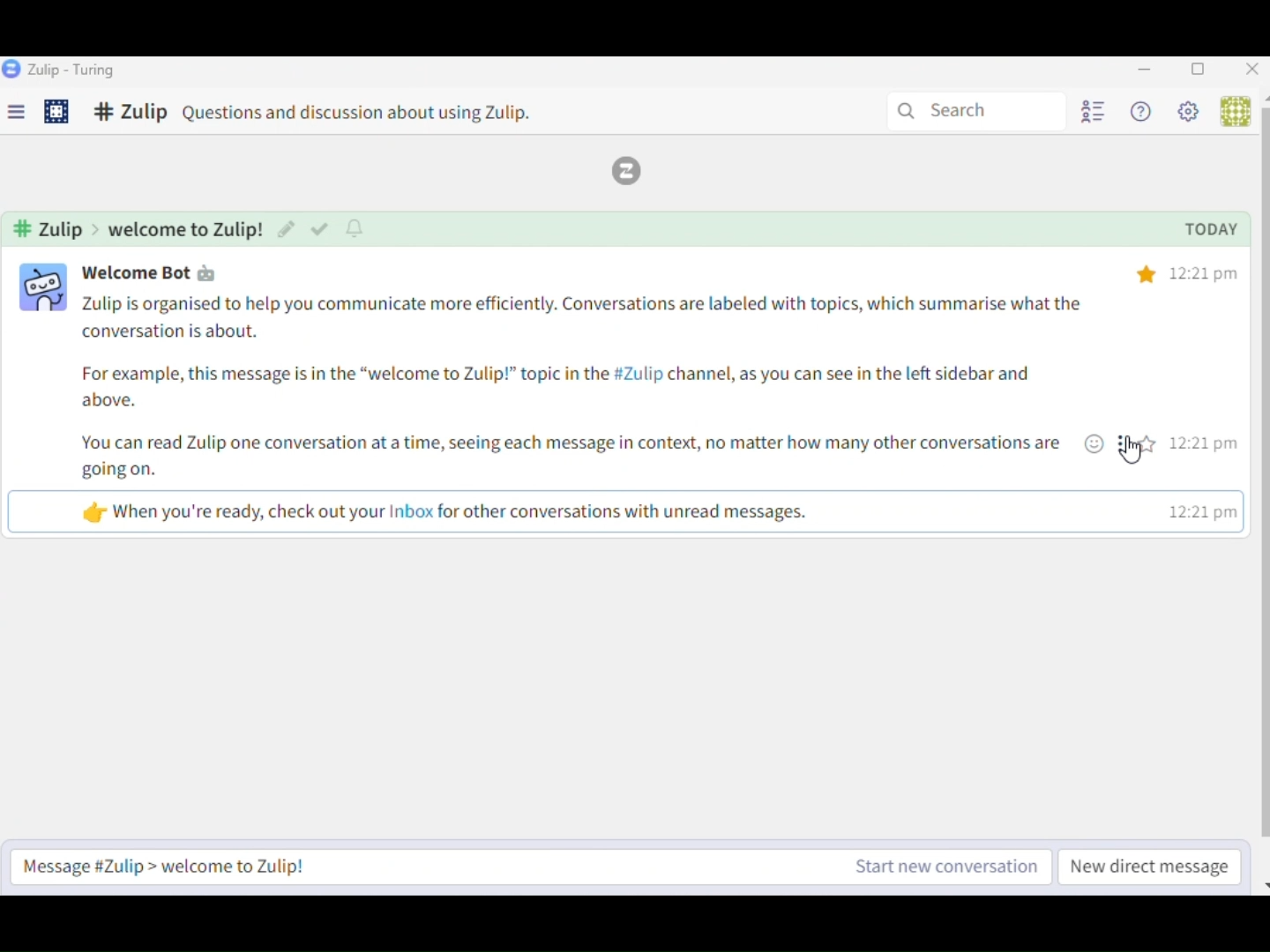 Image resolution: width=1270 pixels, height=952 pixels. I want to click on Settings, so click(58, 114).